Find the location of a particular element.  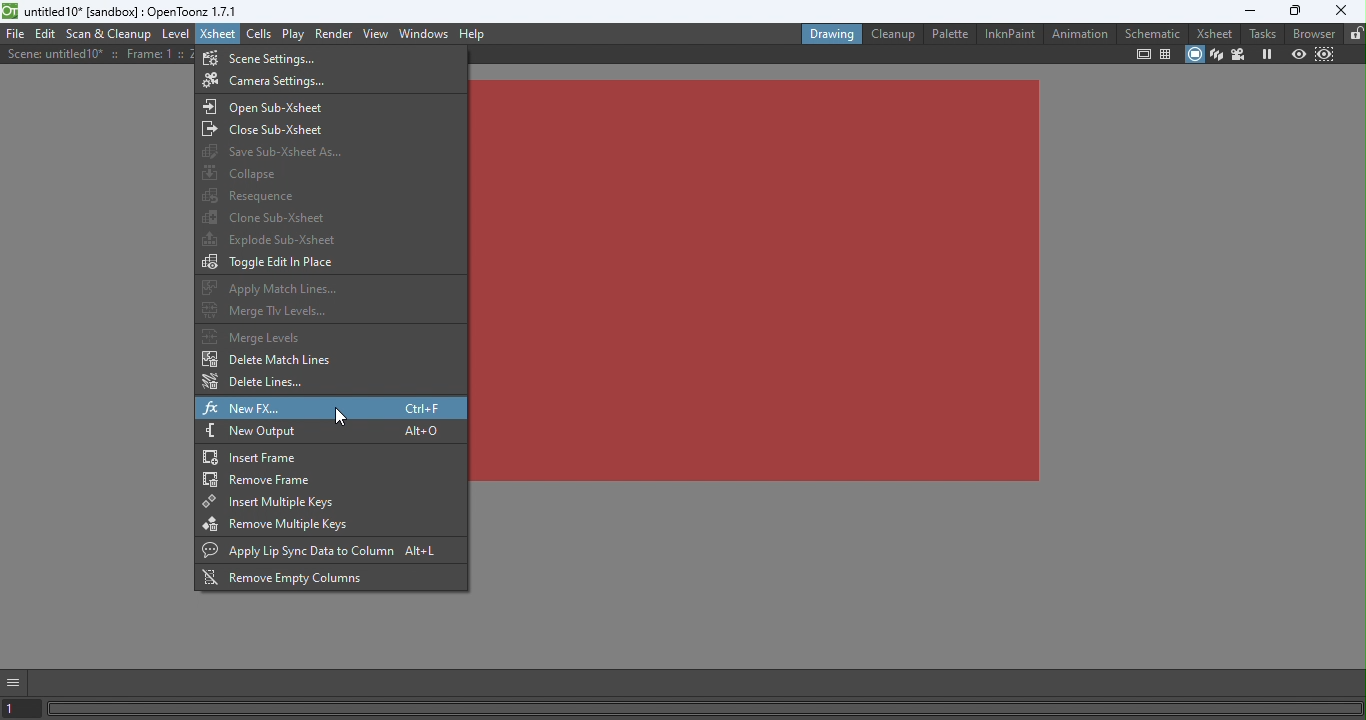

Canvas is located at coordinates (756, 279).